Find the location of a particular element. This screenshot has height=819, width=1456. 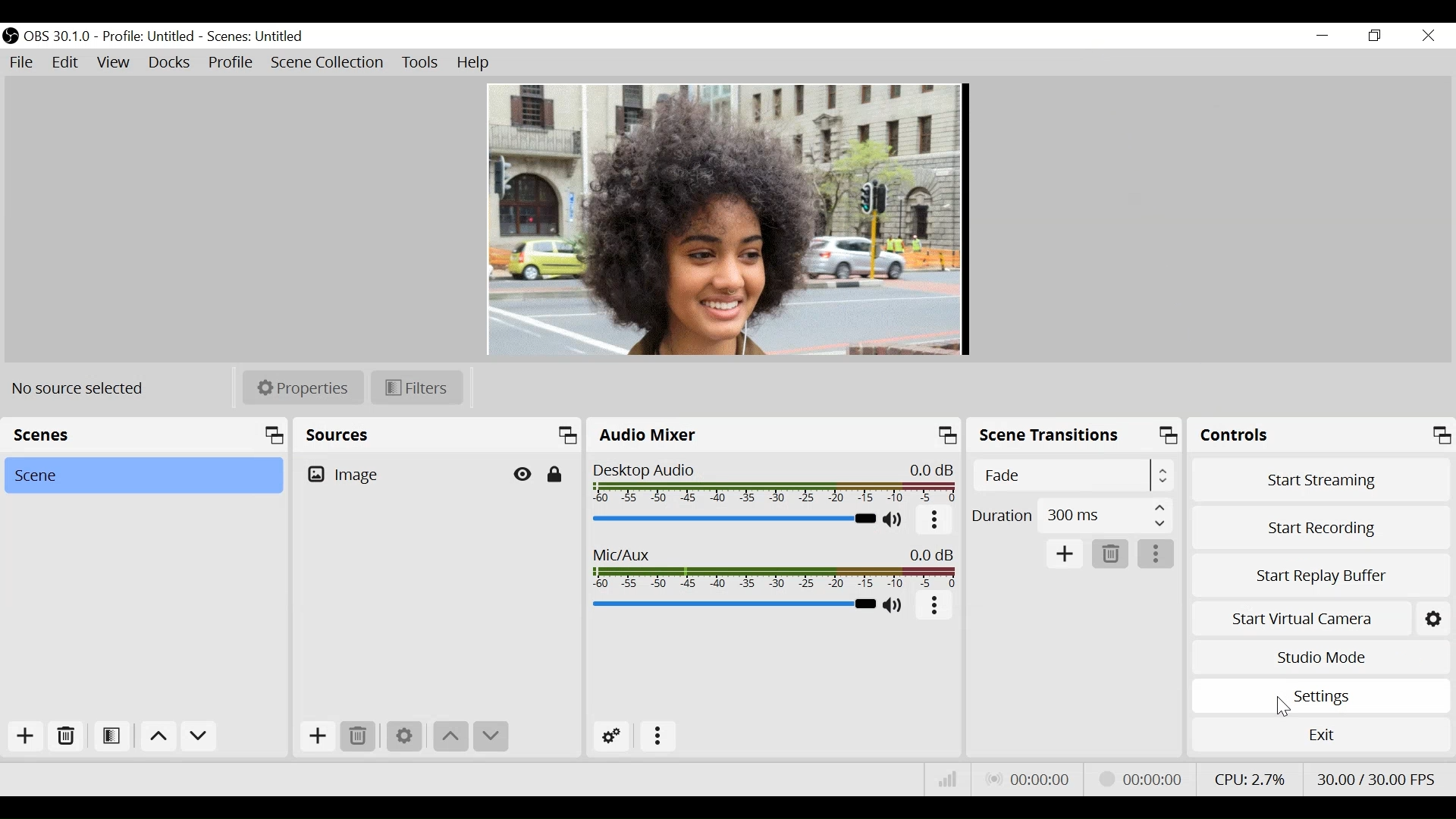

Mic/Aux  is located at coordinates (774, 570).